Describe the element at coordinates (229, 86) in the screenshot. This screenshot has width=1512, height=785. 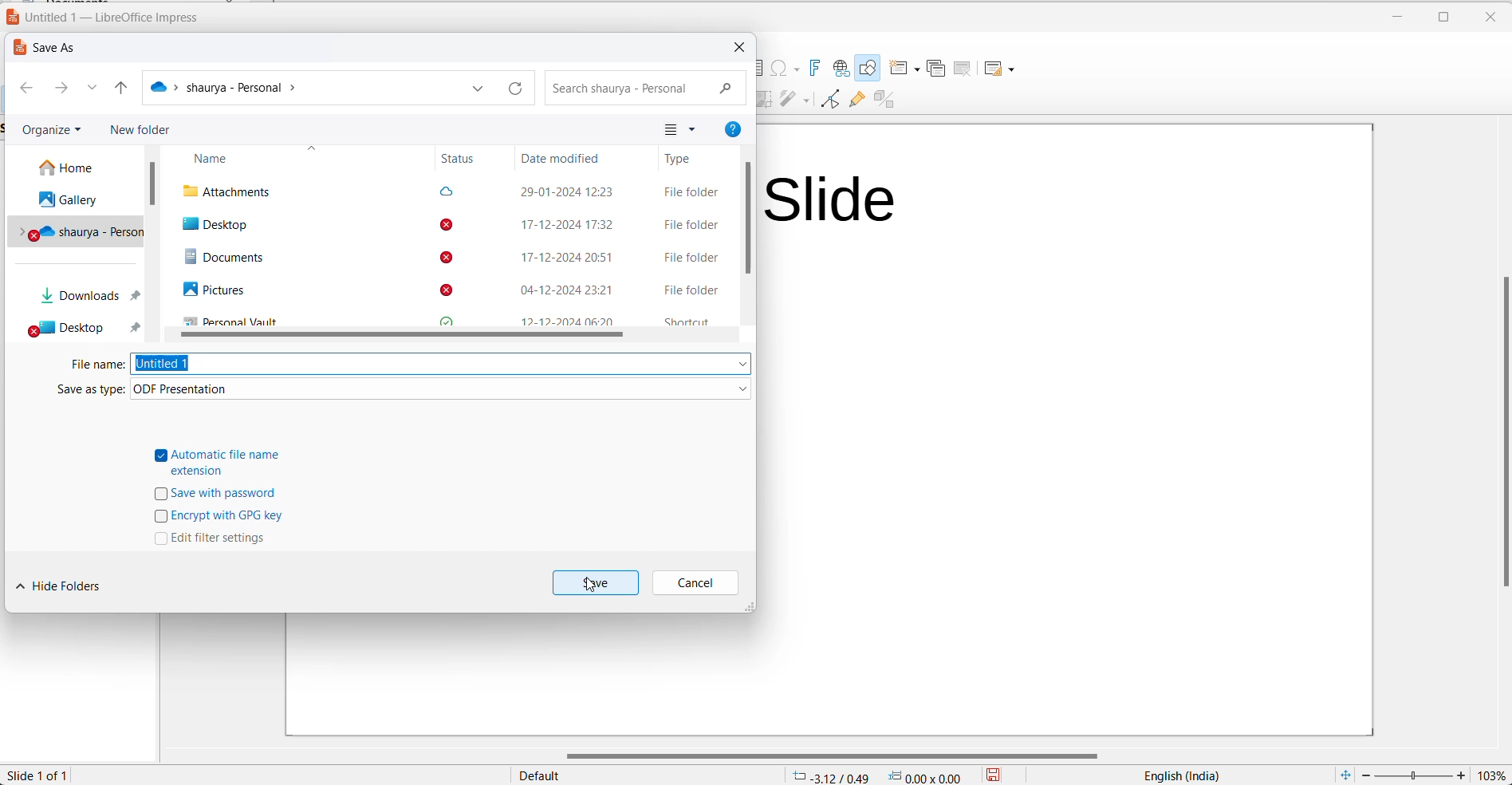
I see `path: onedrive > shaurya - Personal >` at that location.